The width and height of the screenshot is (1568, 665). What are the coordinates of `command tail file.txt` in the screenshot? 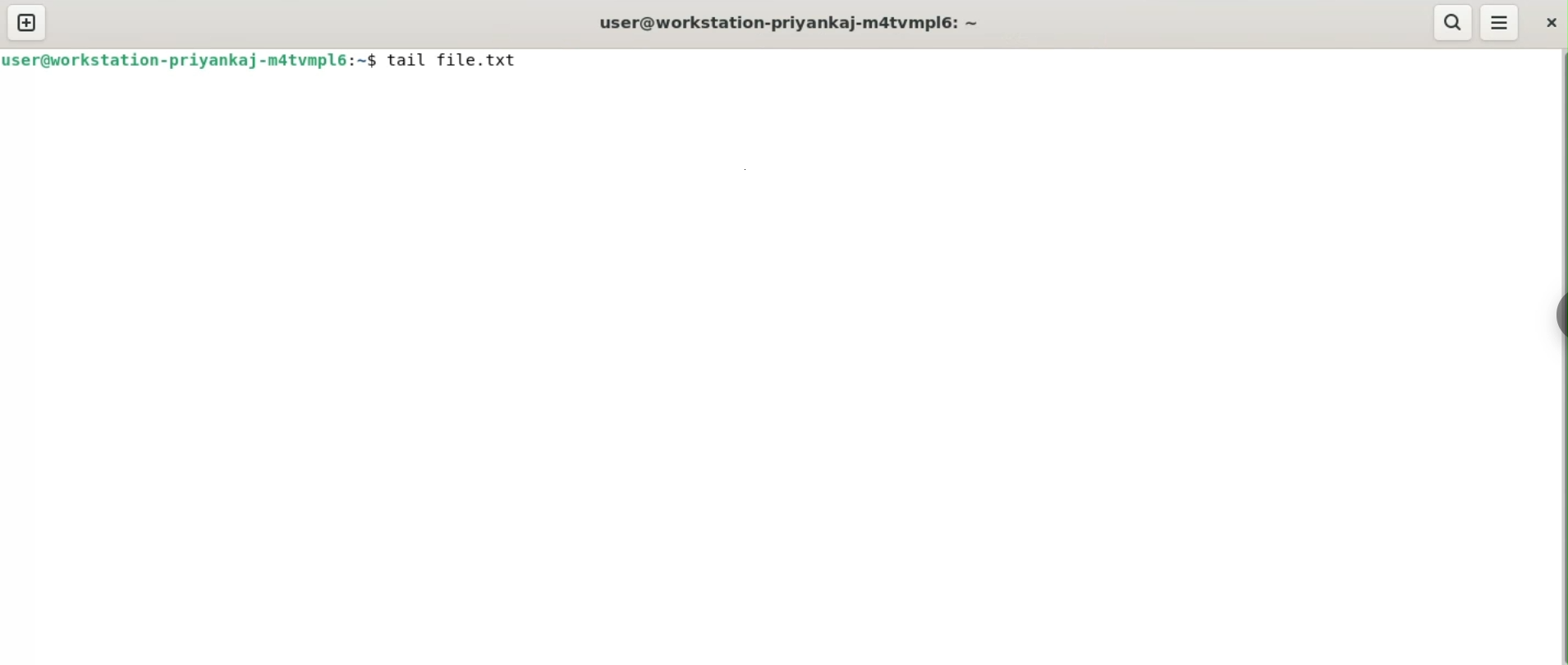 It's located at (469, 62).